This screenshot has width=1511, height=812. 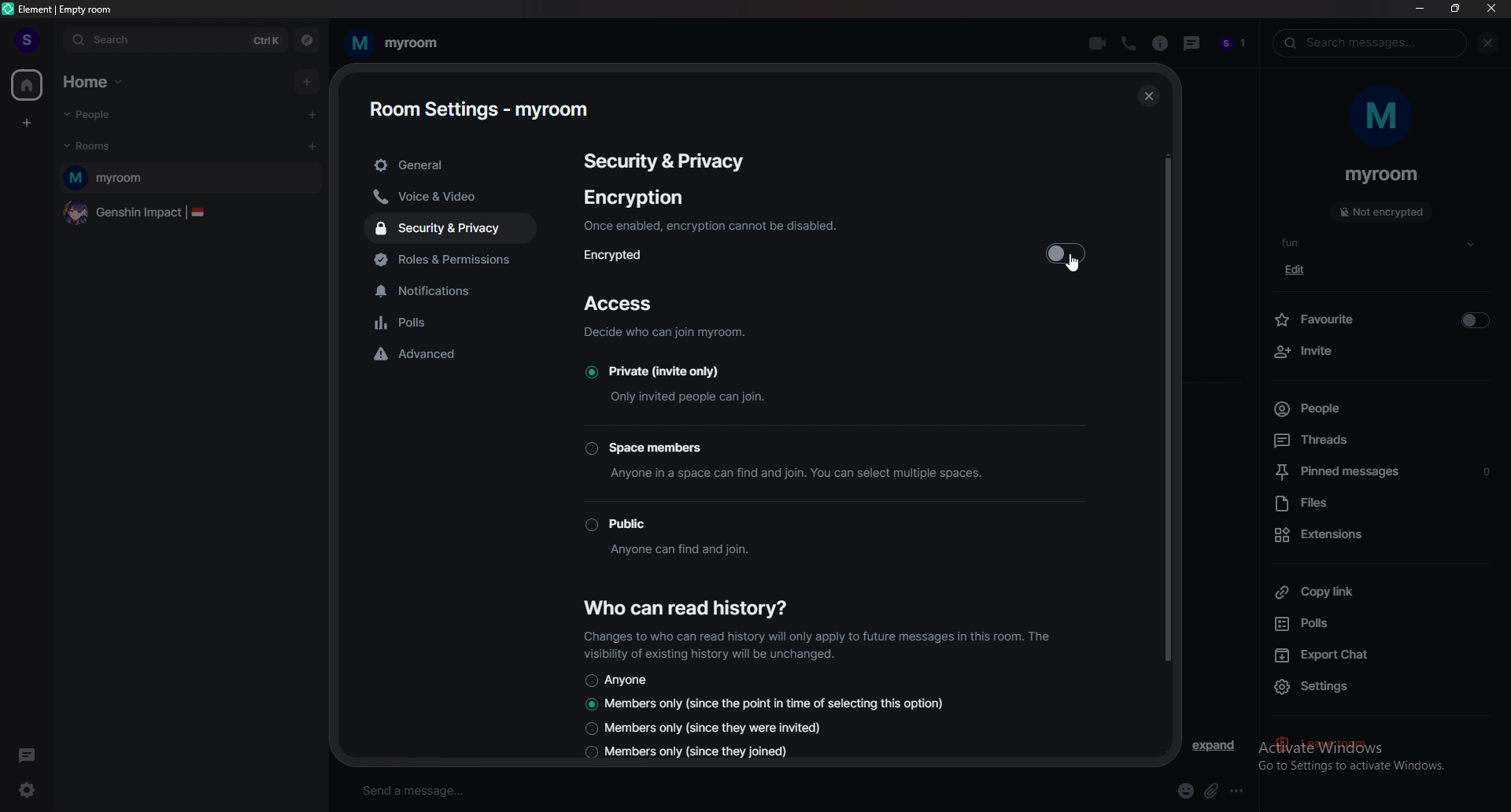 What do you see at coordinates (312, 147) in the screenshot?
I see `add room` at bounding box center [312, 147].